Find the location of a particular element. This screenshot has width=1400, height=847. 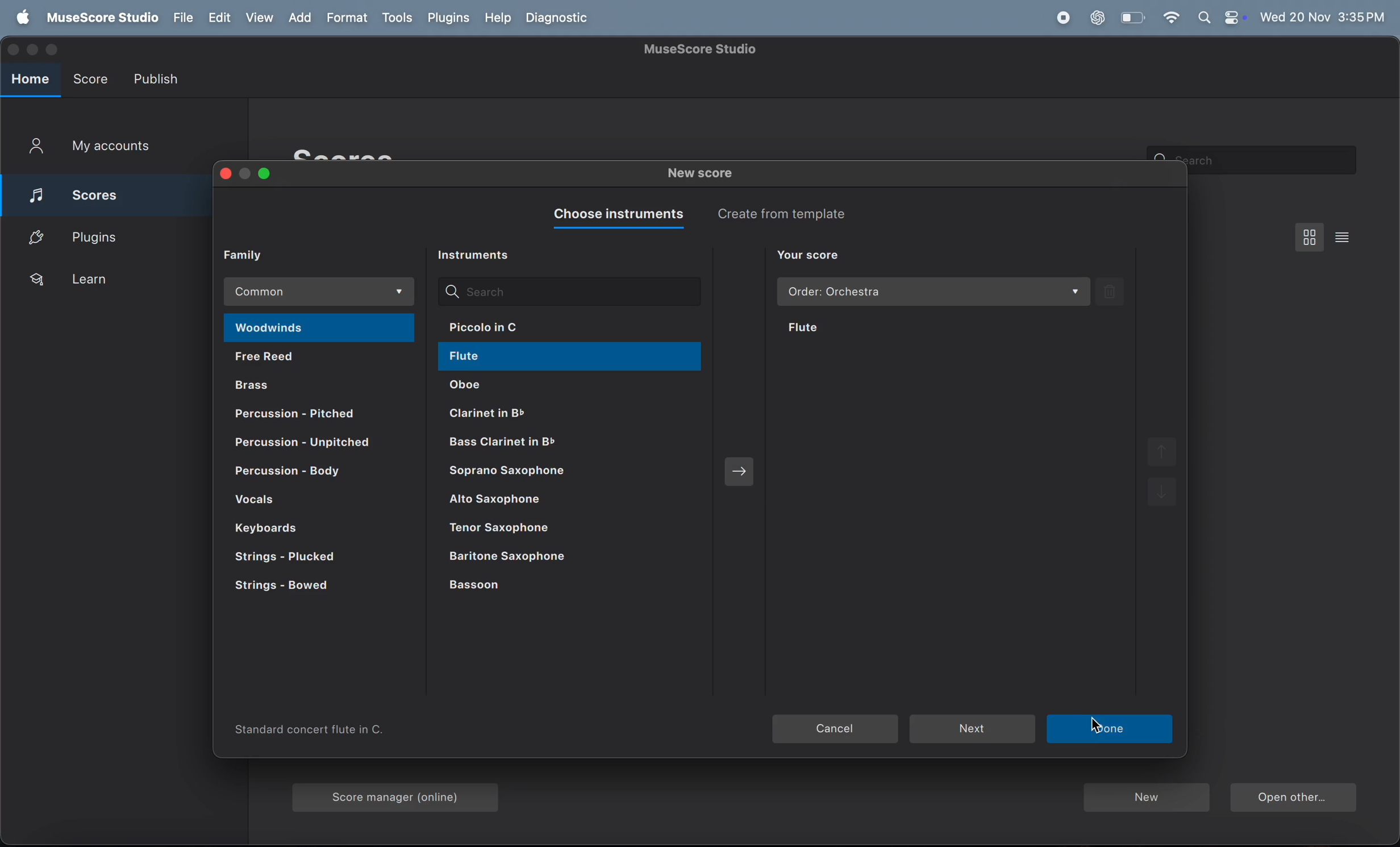

piccolo in c is located at coordinates (527, 326).